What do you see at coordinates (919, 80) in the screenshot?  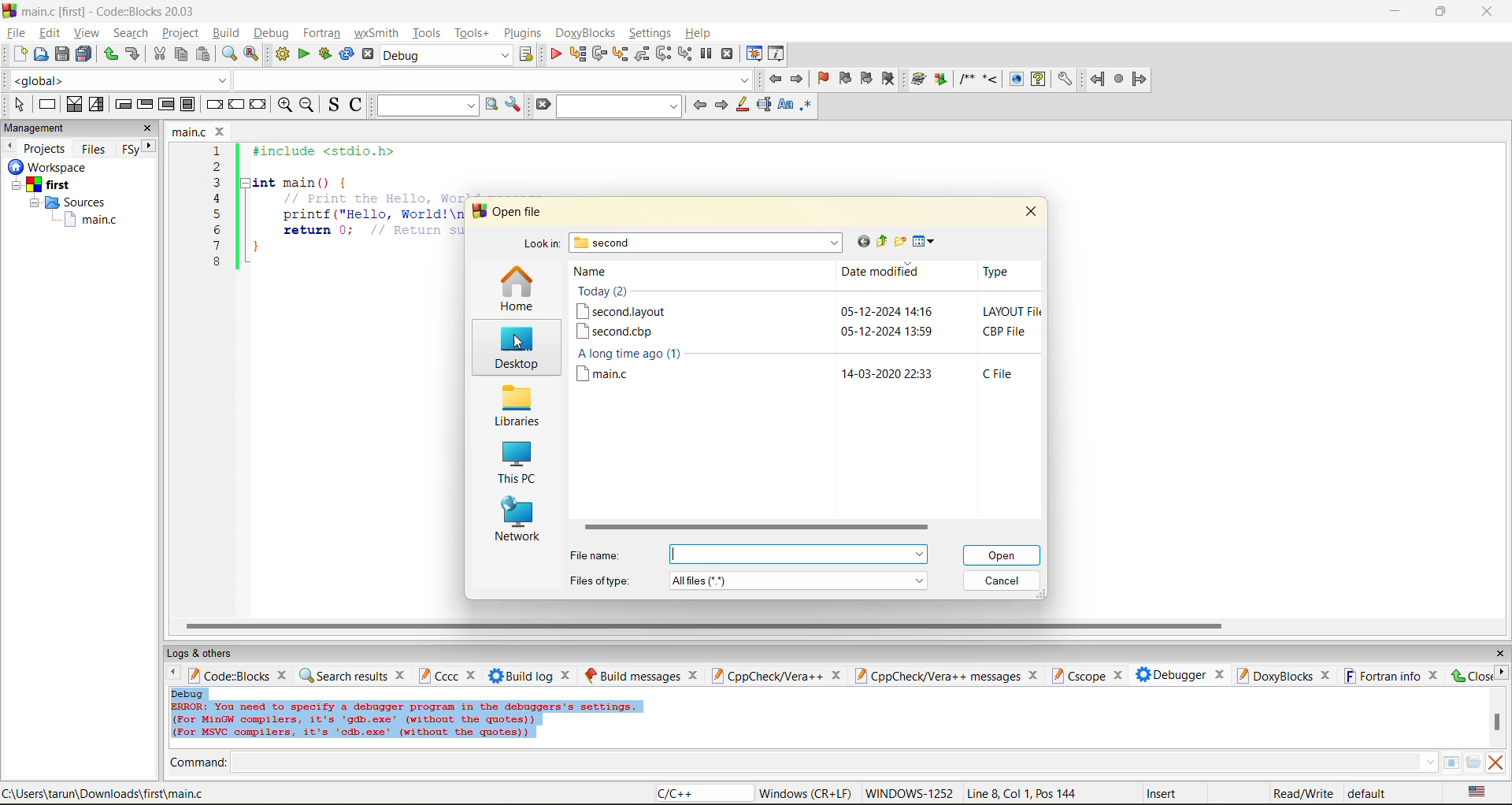 I see `build` at bounding box center [919, 80].